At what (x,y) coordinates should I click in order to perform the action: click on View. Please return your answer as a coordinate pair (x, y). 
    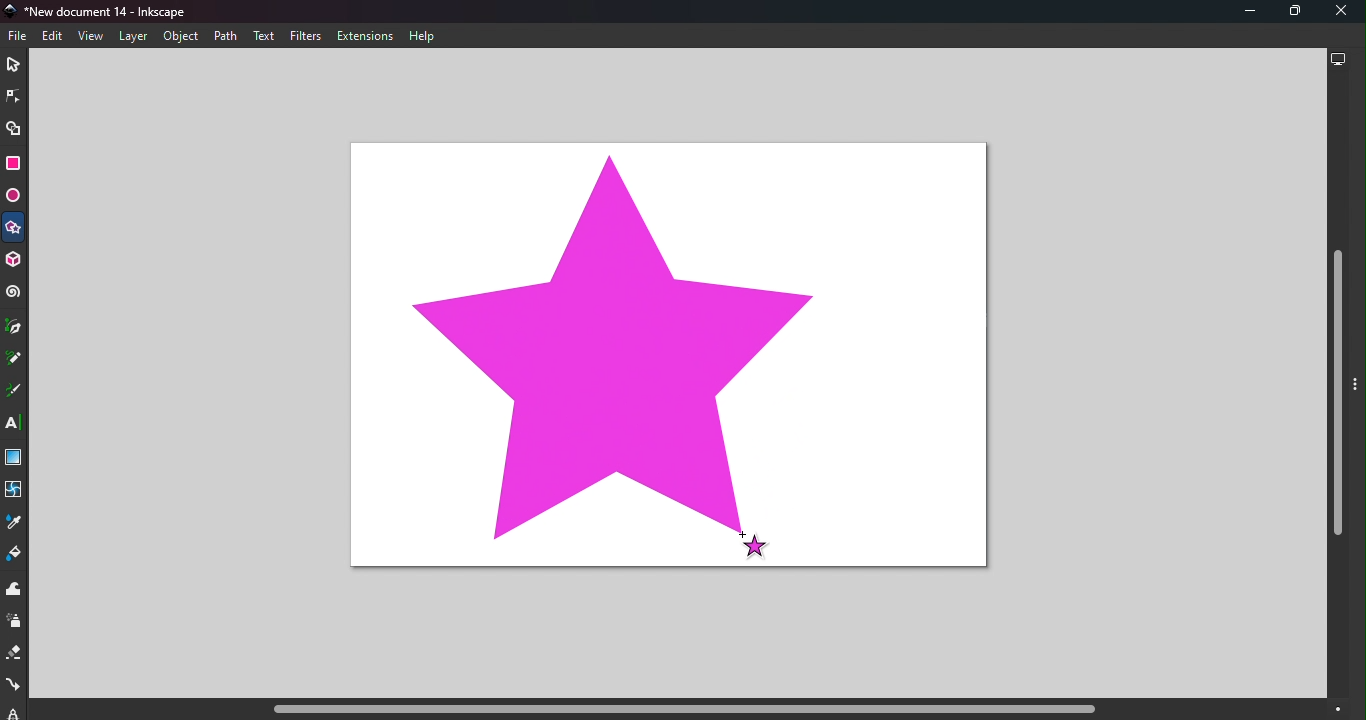
    Looking at the image, I should click on (90, 35).